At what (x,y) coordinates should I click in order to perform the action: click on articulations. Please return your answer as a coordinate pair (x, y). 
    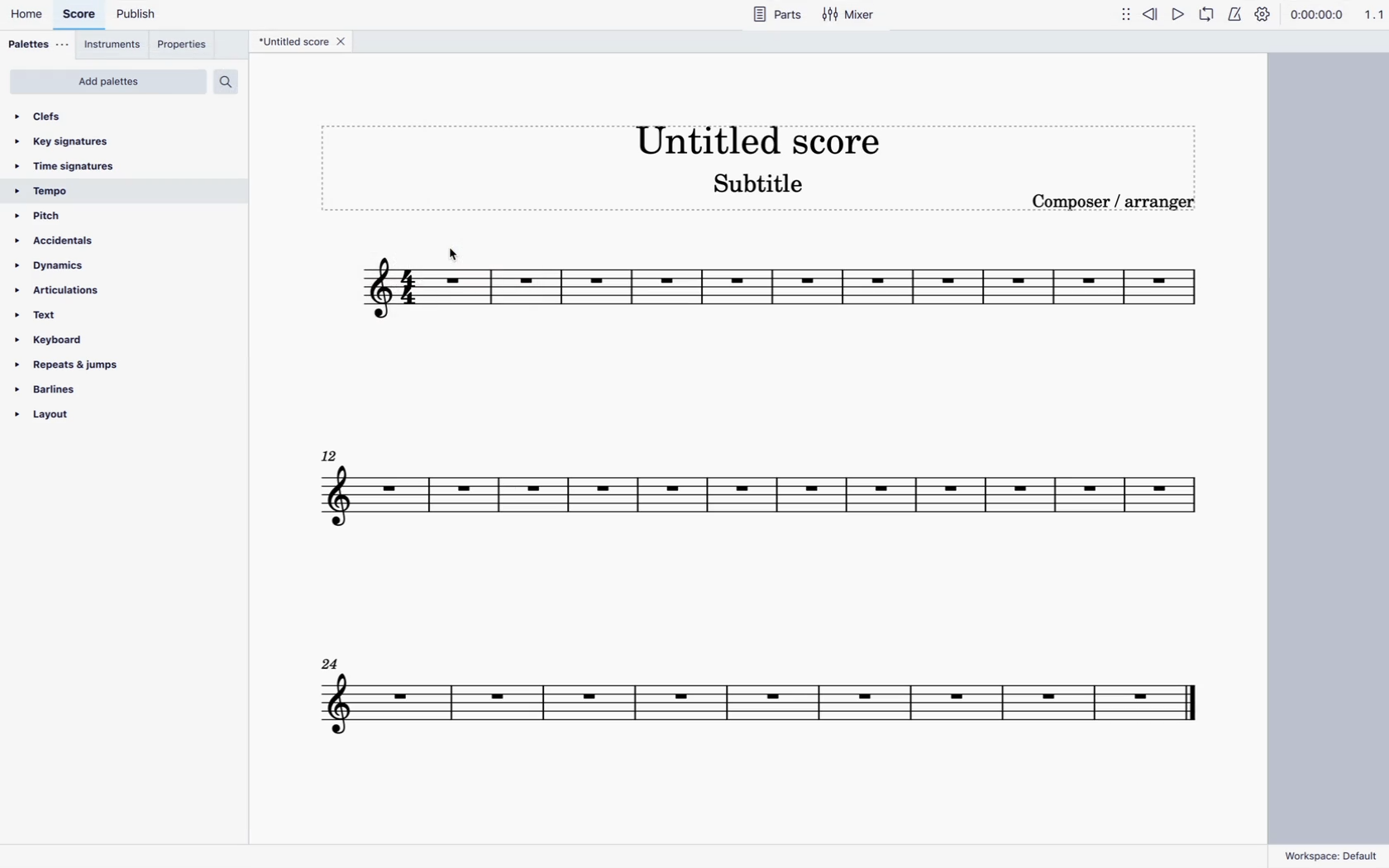
    Looking at the image, I should click on (66, 291).